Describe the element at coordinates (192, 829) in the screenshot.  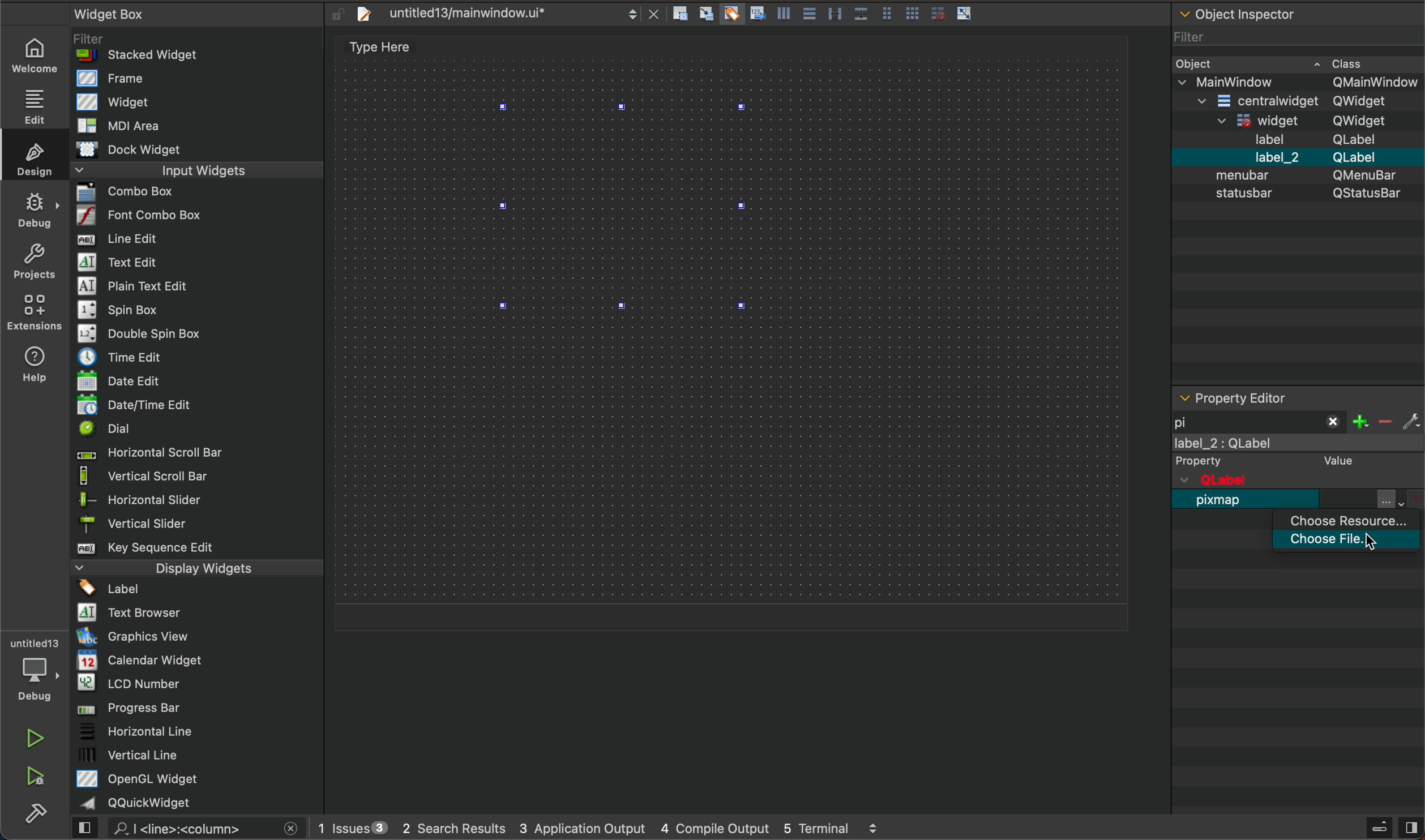
I see `search` at that location.